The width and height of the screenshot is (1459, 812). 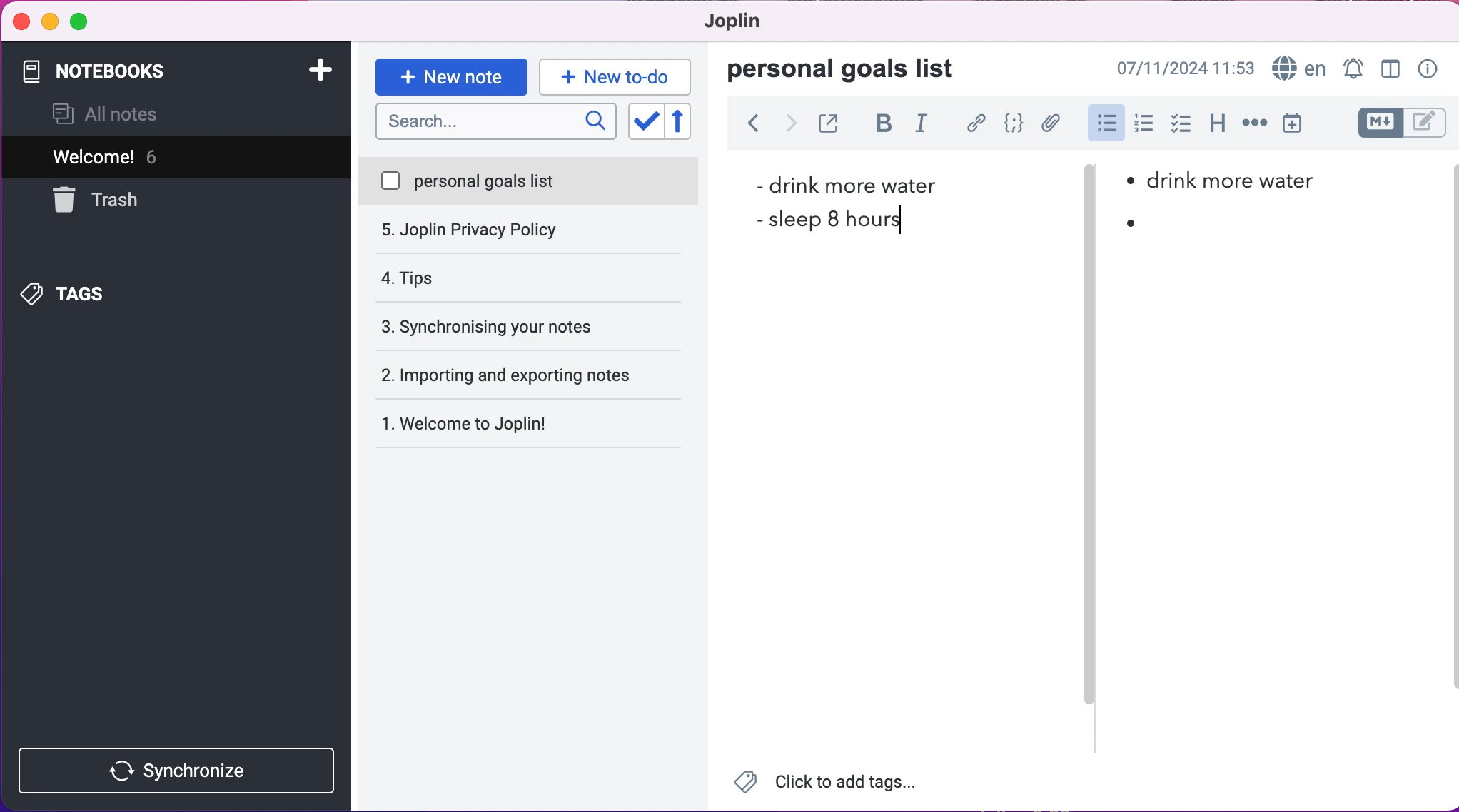 What do you see at coordinates (1351, 66) in the screenshot?
I see `set alarm` at bounding box center [1351, 66].